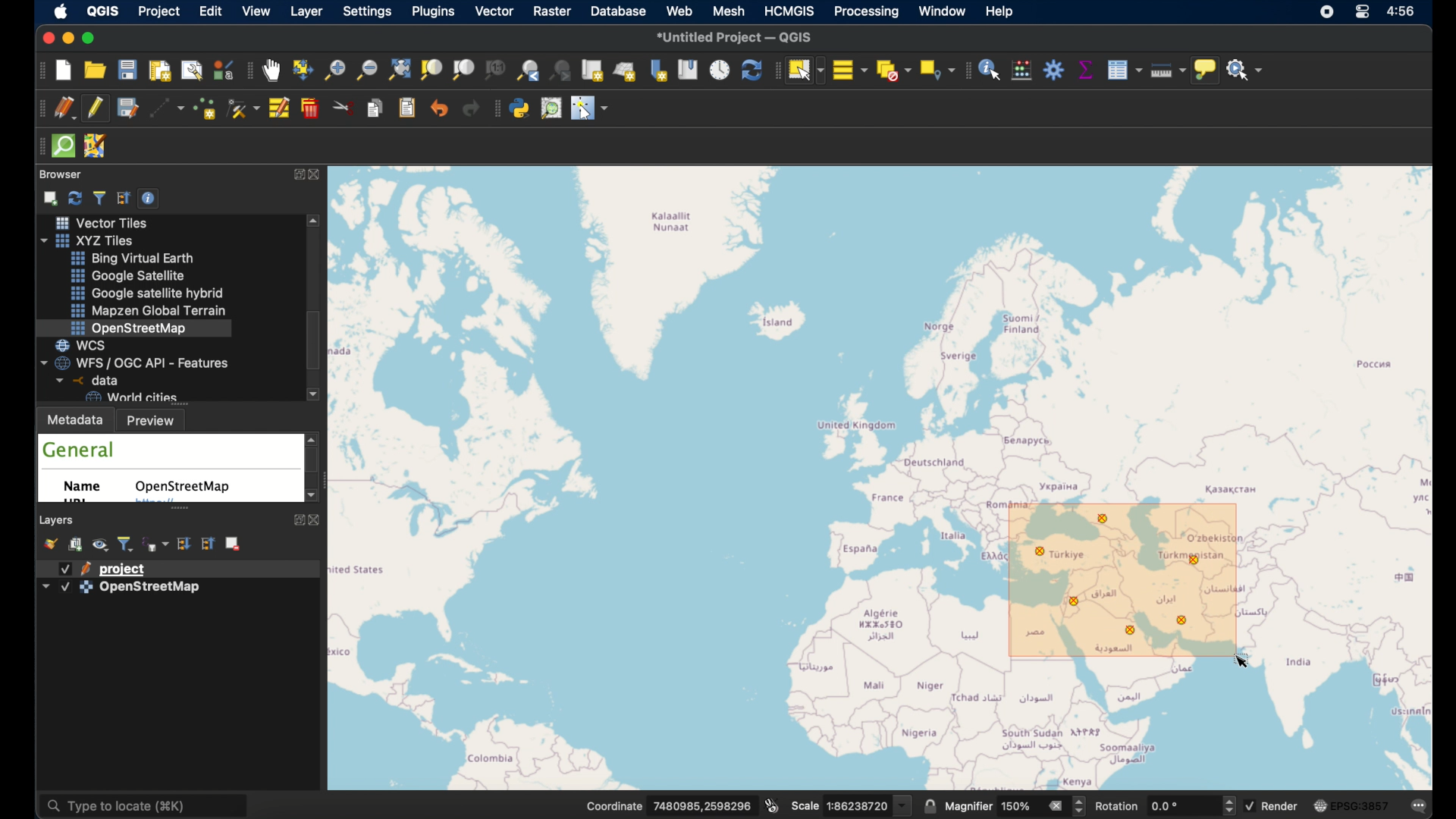 The image size is (1456, 819). What do you see at coordinates (309, 497) in the screenshot?
I see `scroll down arrow` at bounding box center [309, 497].